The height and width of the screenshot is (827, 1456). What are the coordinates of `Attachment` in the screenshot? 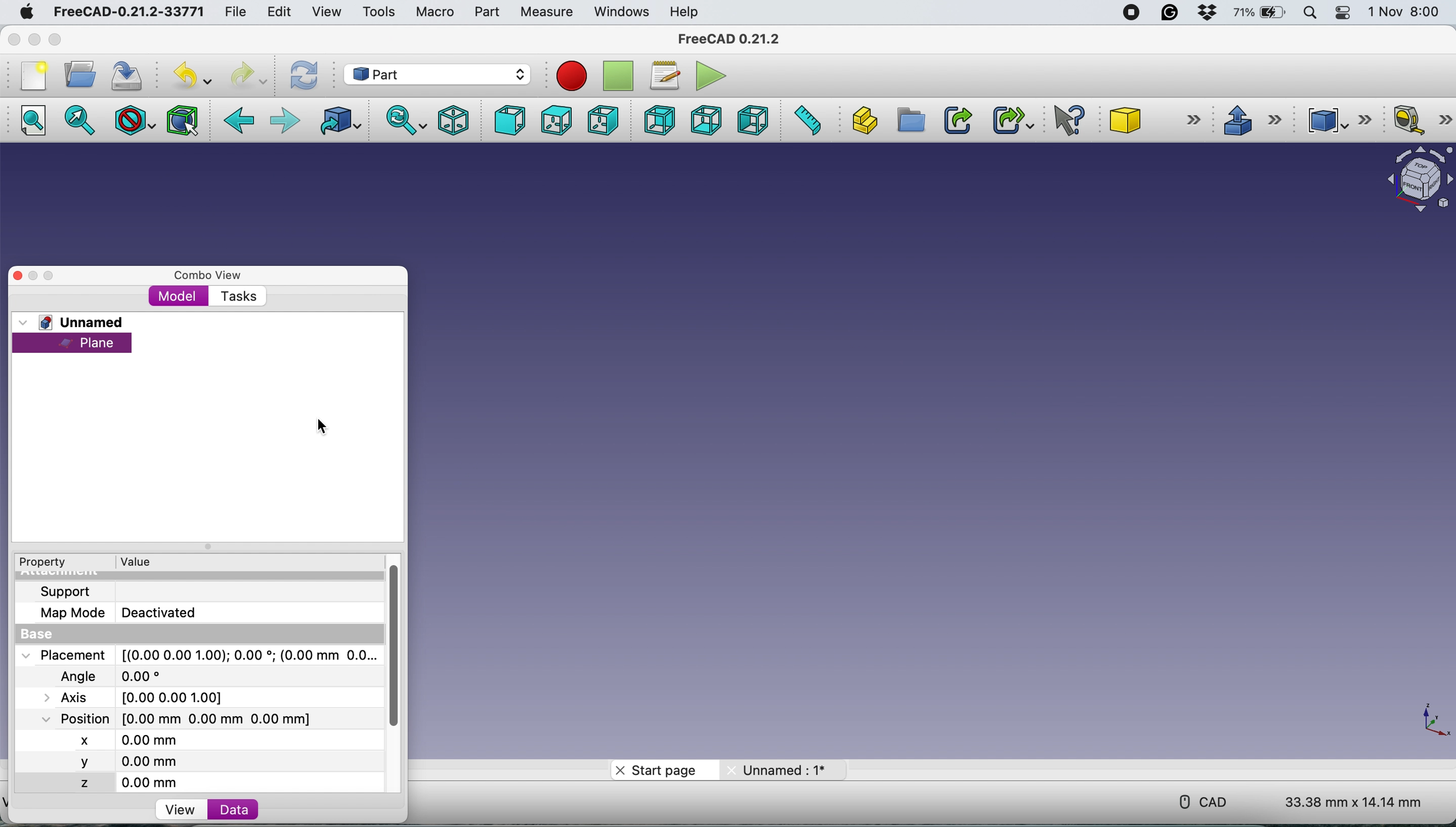 It's located at (60, 574).